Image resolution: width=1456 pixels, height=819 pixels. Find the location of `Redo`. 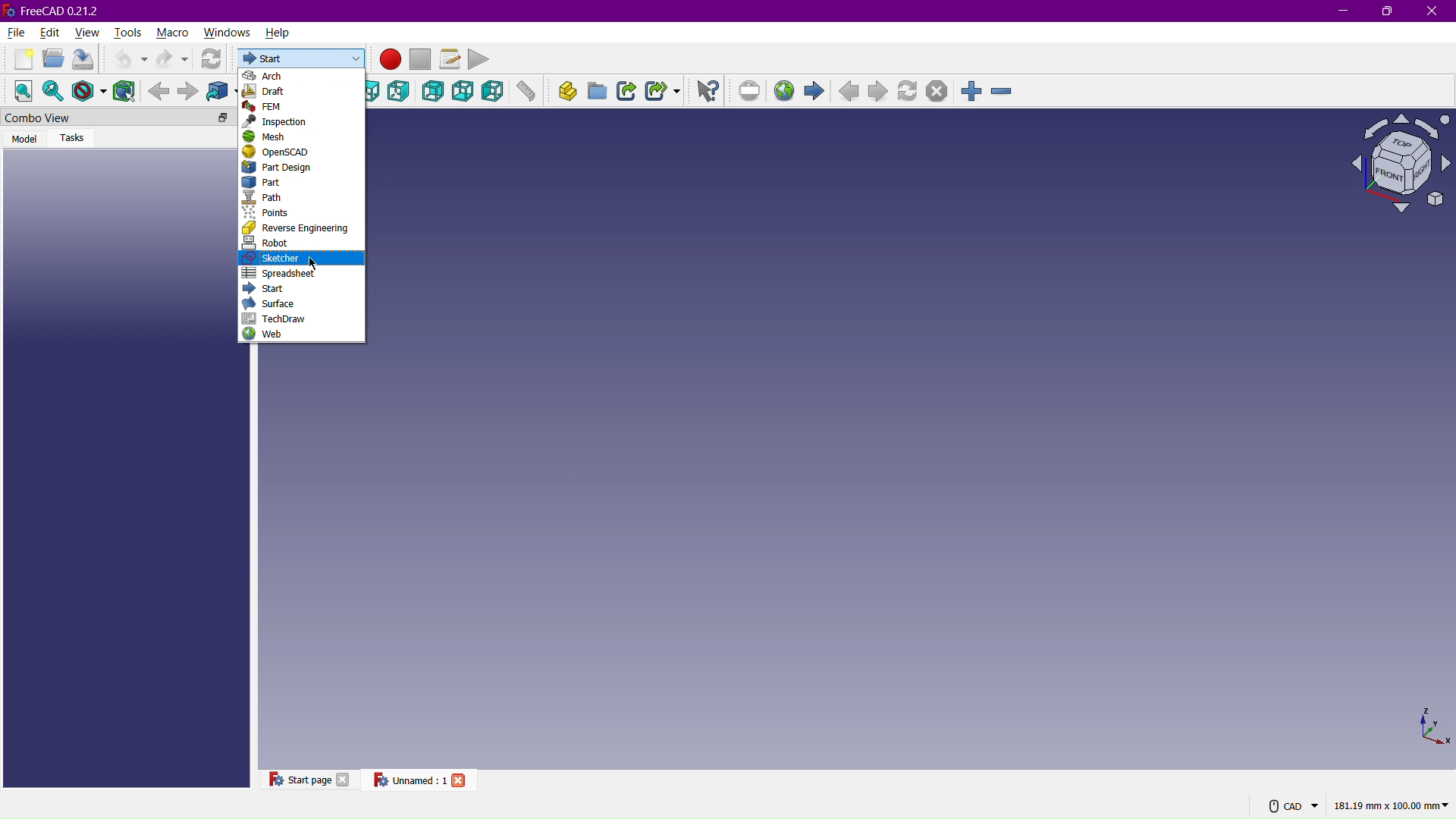

Redo is located at coordinates (174, 58).